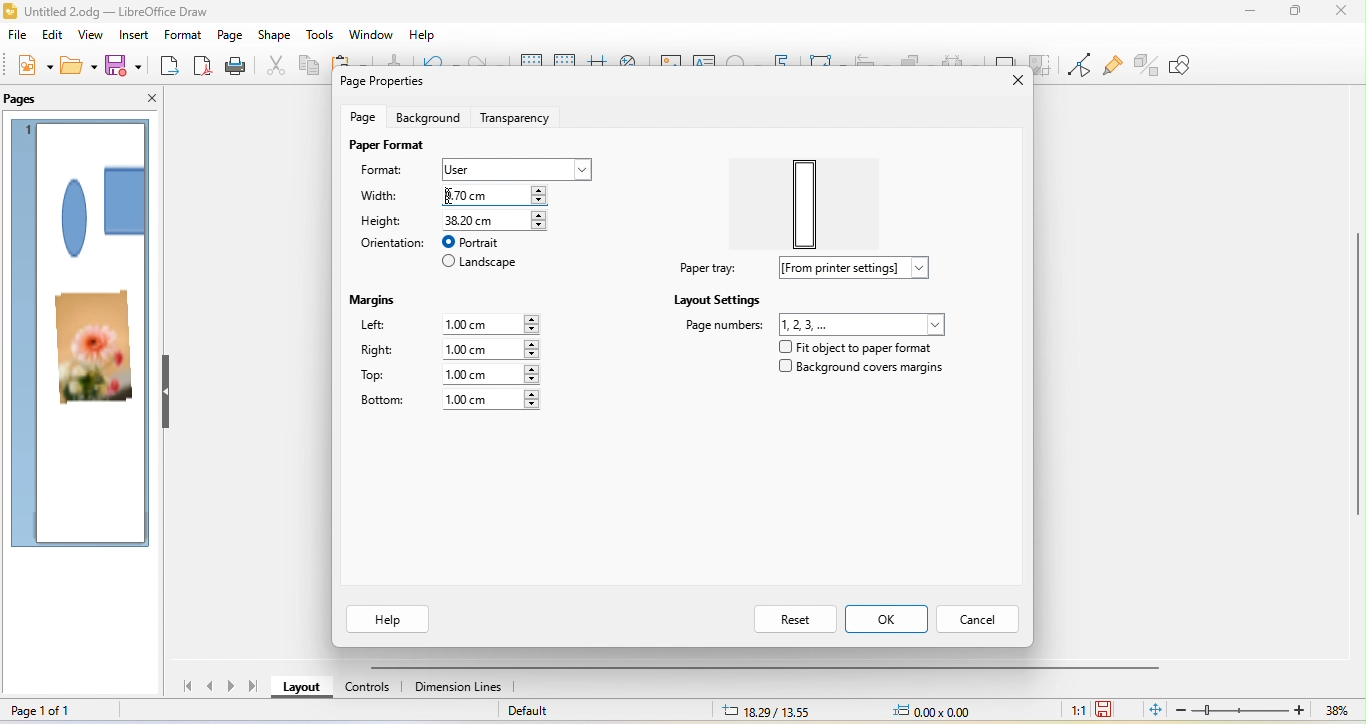 The width and height of the screenshot is (1366, 724). I want to click on show gluepoint function, so click(1114, 63).